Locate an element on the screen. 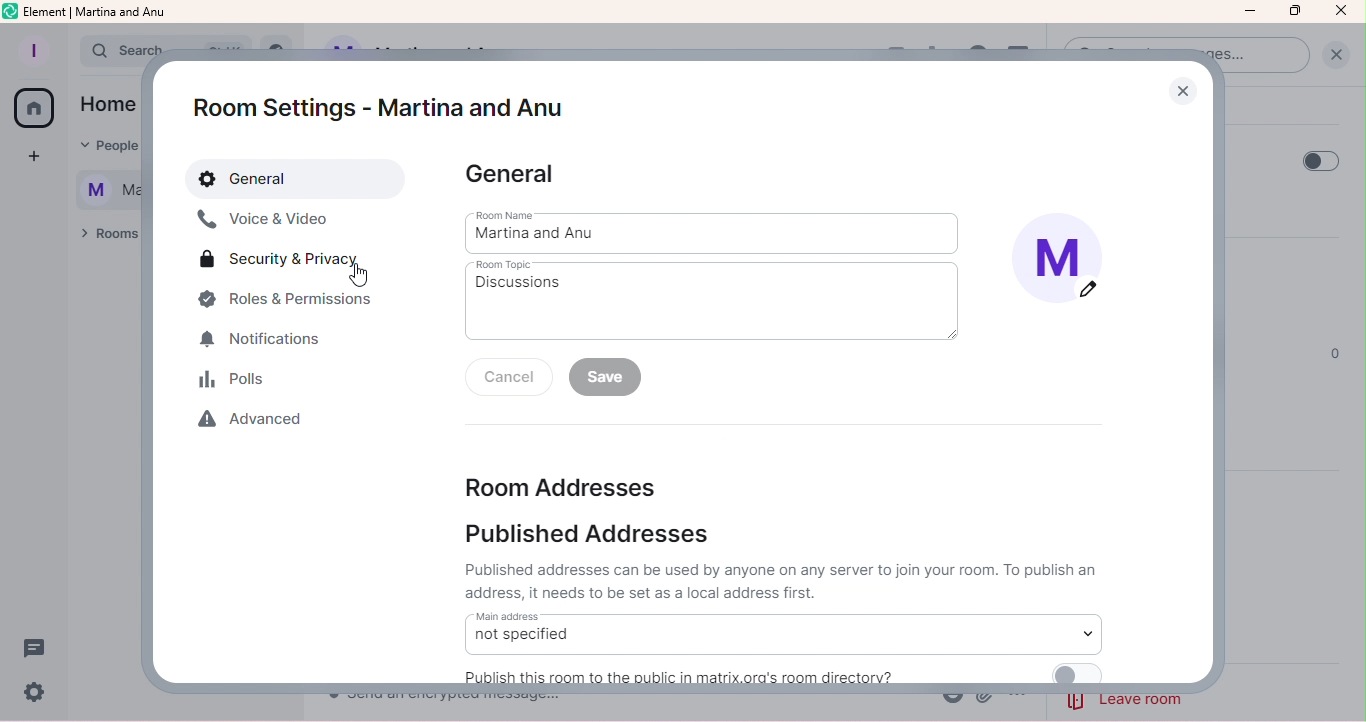 This screenshot has height=722, width=1366. Room topic is located at coordinates (711, 300).